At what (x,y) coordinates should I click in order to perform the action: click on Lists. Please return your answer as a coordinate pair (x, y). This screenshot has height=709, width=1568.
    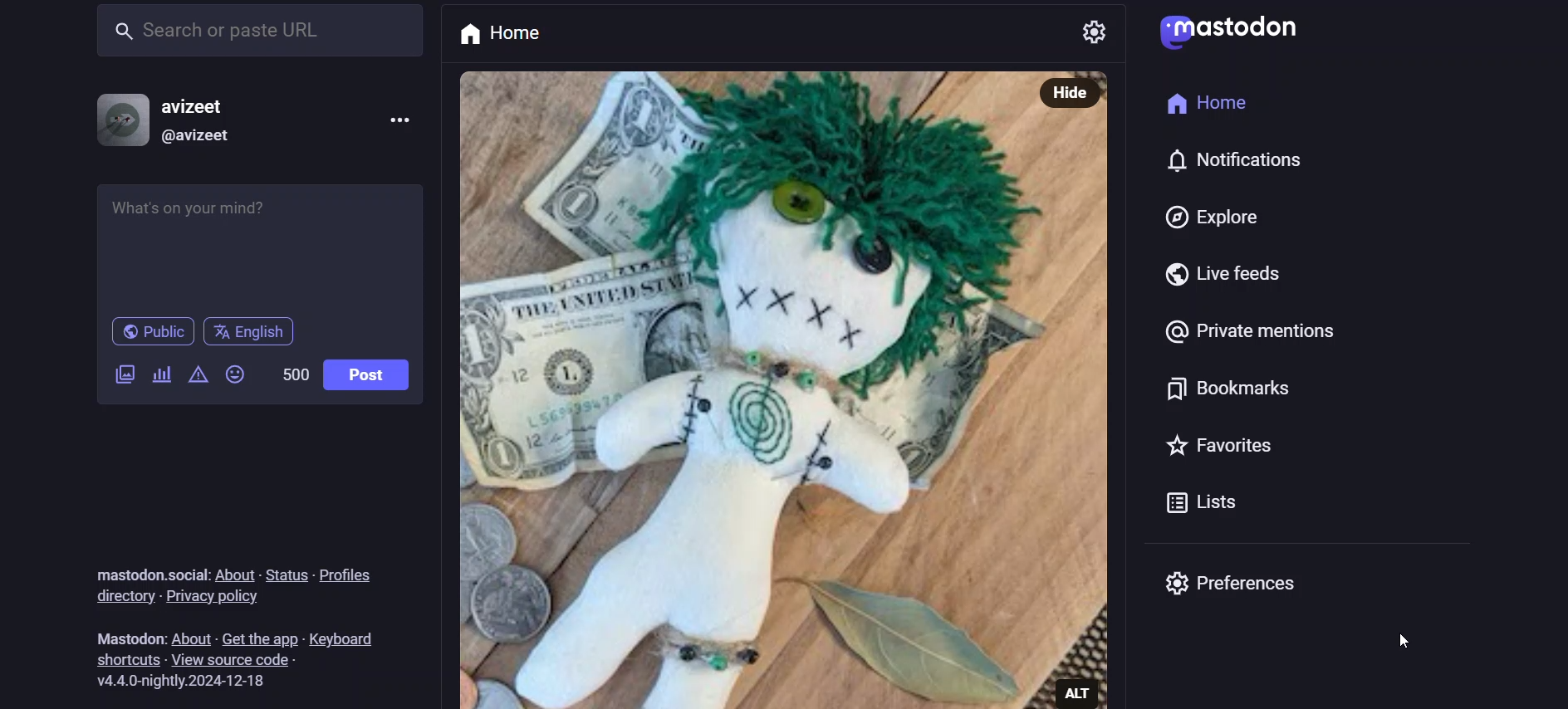
    Looking at the image, I should click on (1208, 506).